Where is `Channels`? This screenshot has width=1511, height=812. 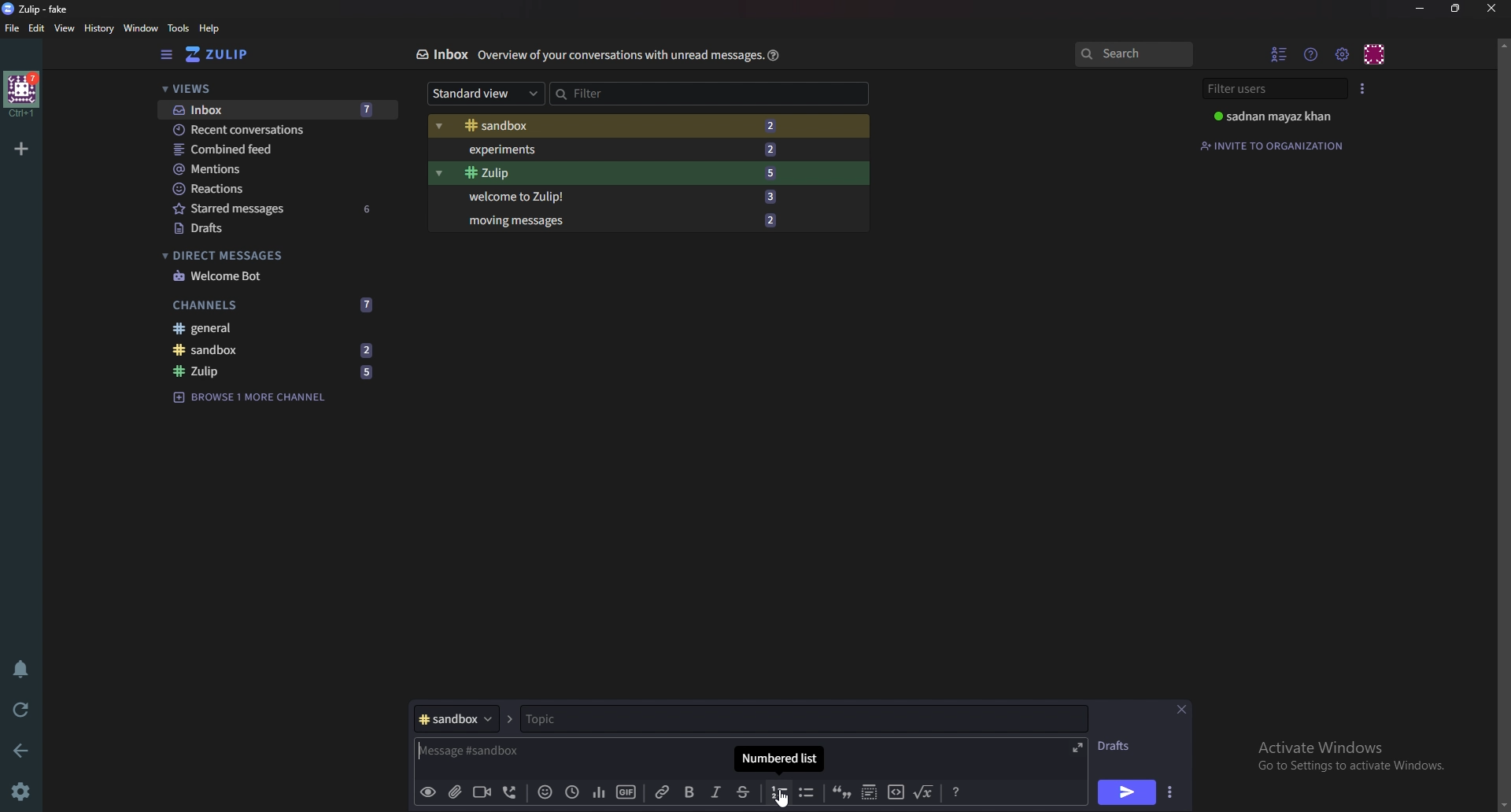 Channels is located at coordinates (276, 303).